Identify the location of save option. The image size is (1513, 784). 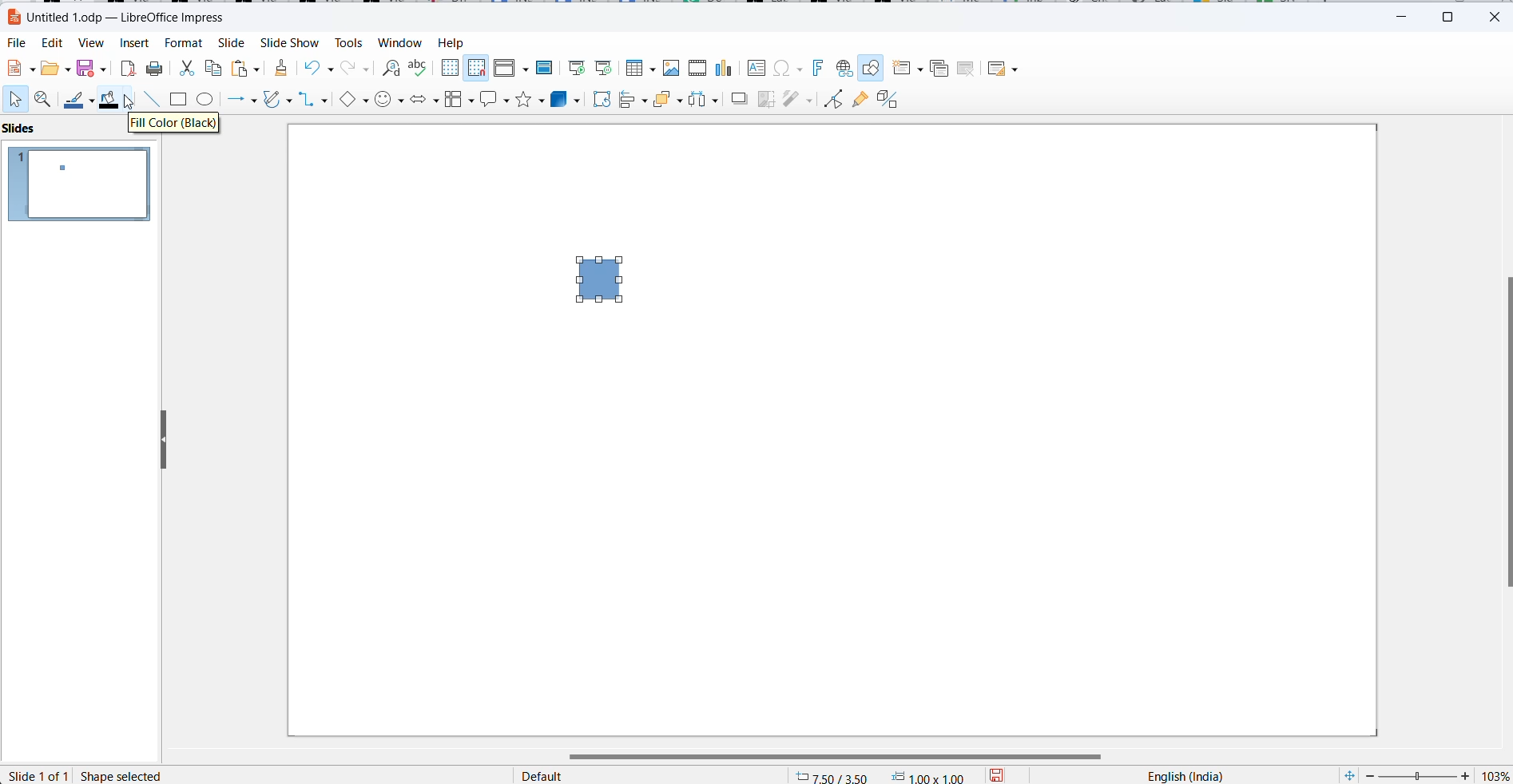
(89, 67).